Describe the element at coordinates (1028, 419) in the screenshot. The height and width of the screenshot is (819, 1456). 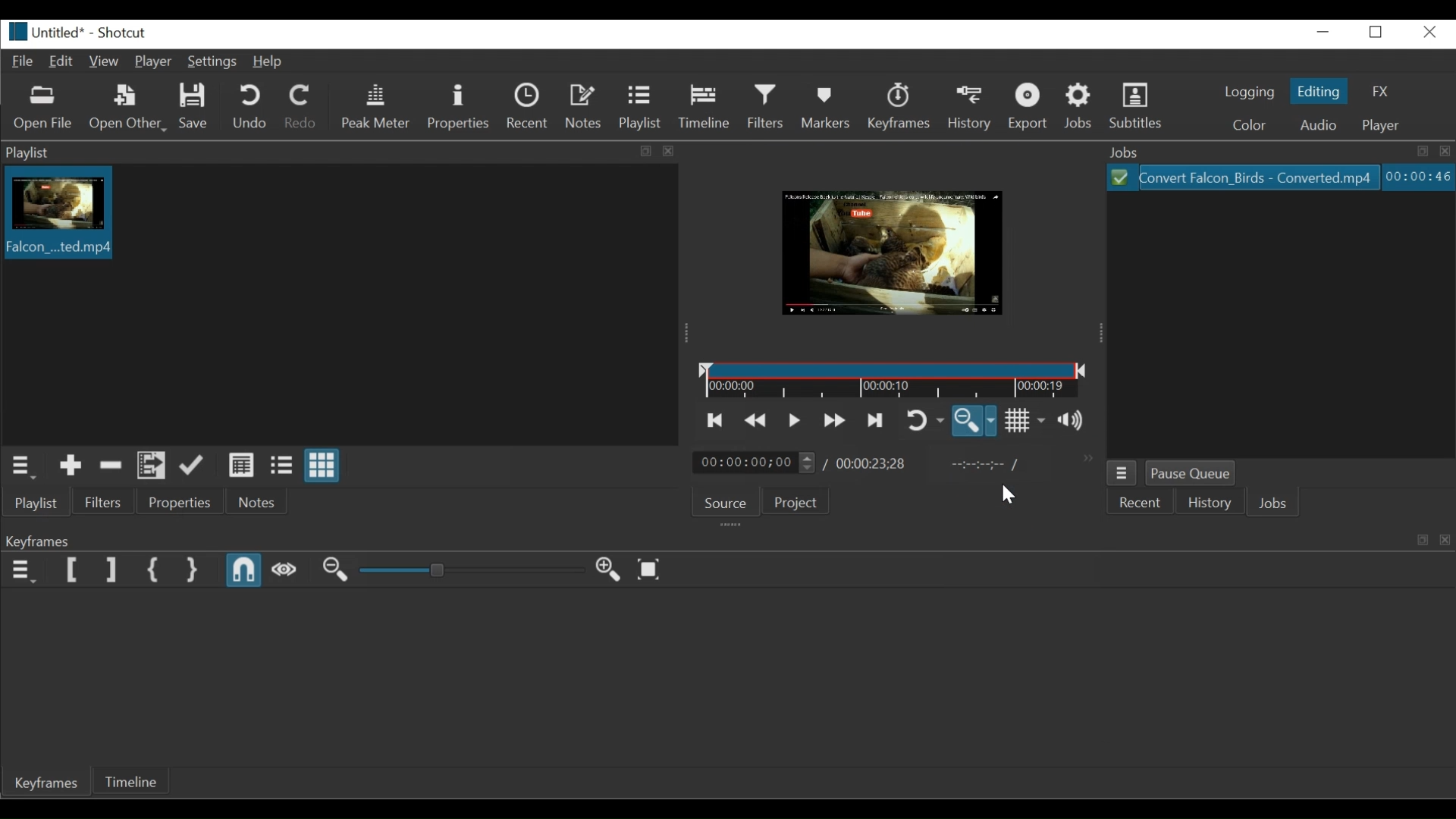
I see `Toggle grid display on the player` at that location.